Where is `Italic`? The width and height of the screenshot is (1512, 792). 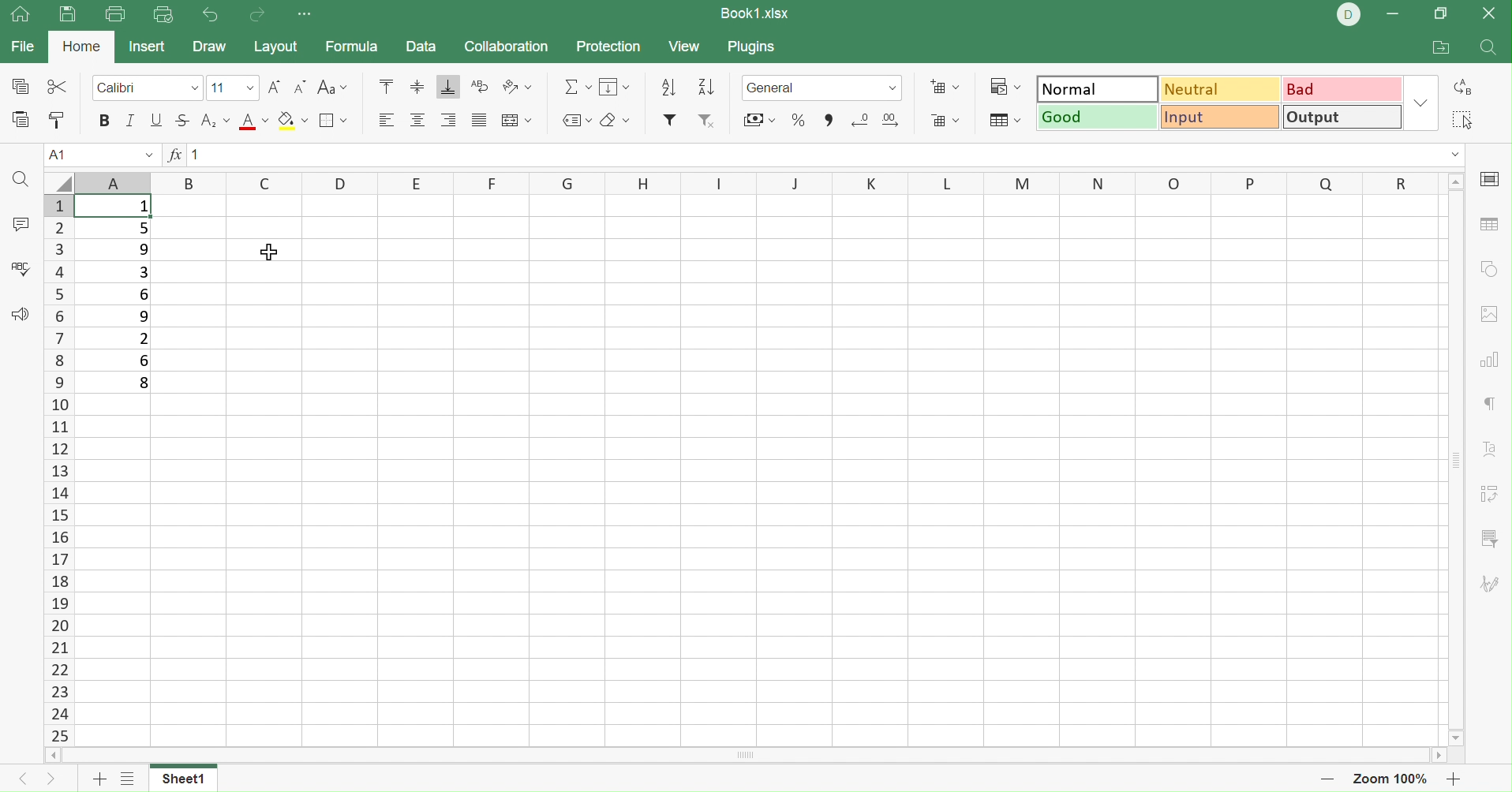 Italic is located at coordinates (130, 119).